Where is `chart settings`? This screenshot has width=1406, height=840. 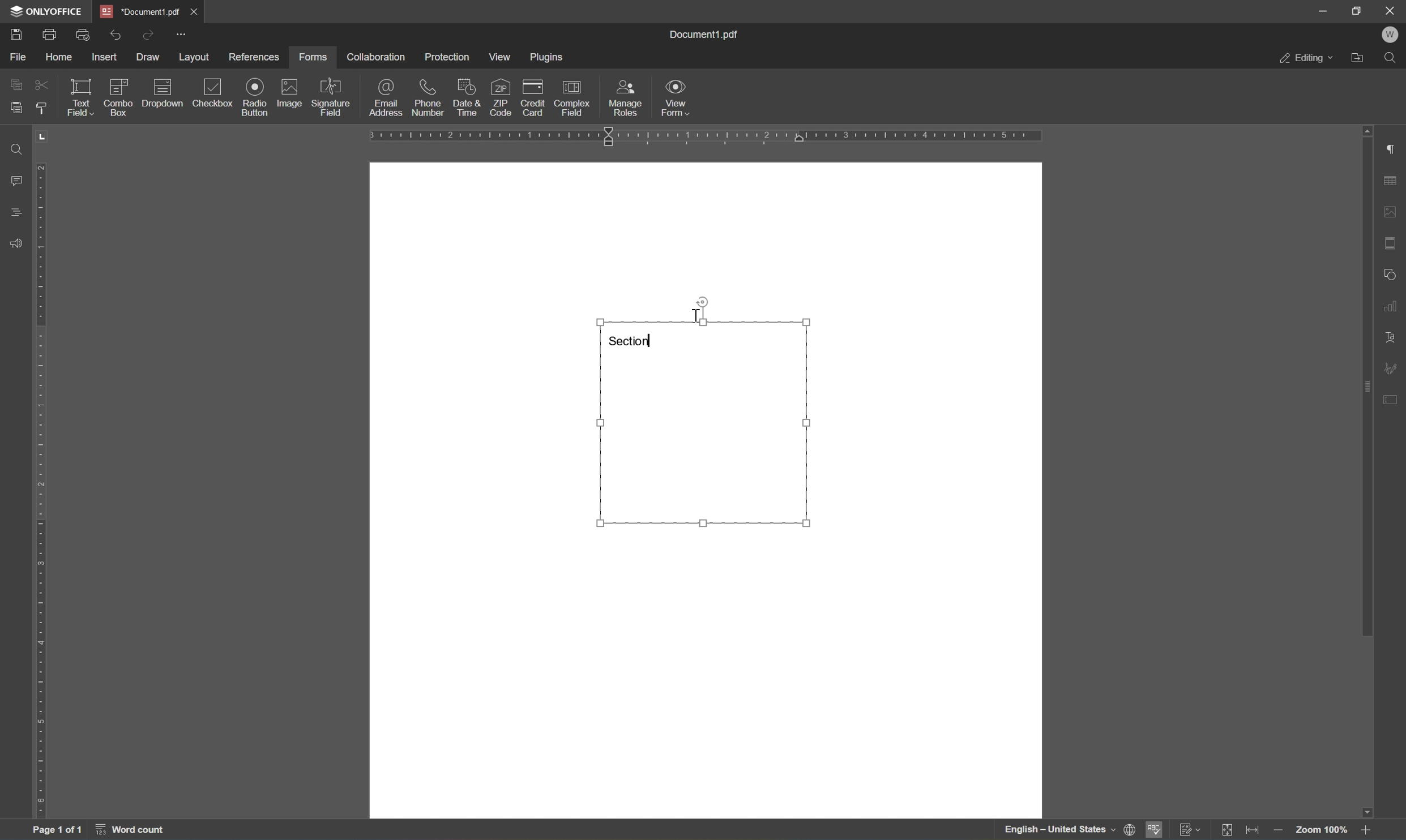
chart settings is located at coordinates (1393, 306).